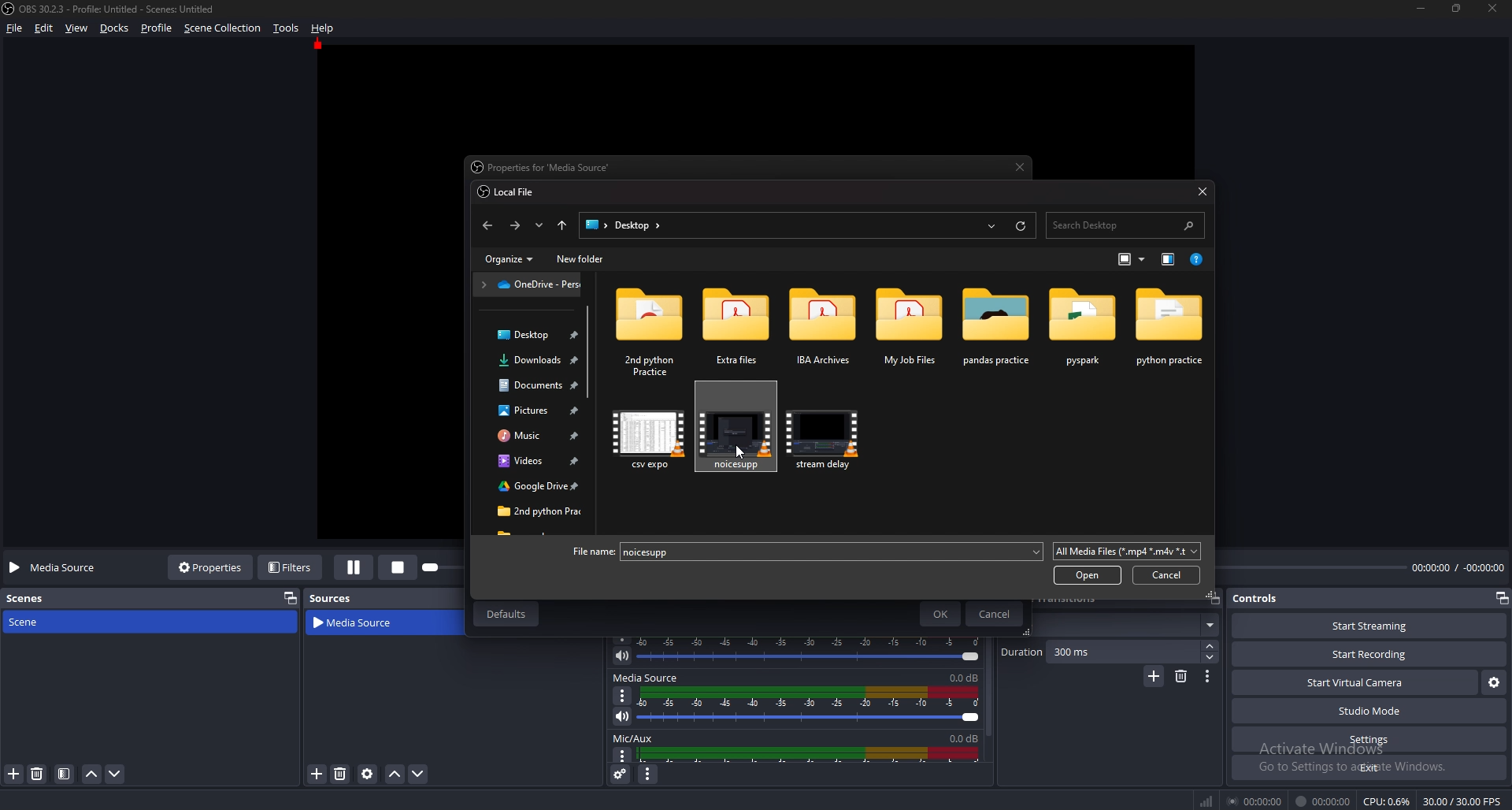  I want to click on pause, so click(354, 567).